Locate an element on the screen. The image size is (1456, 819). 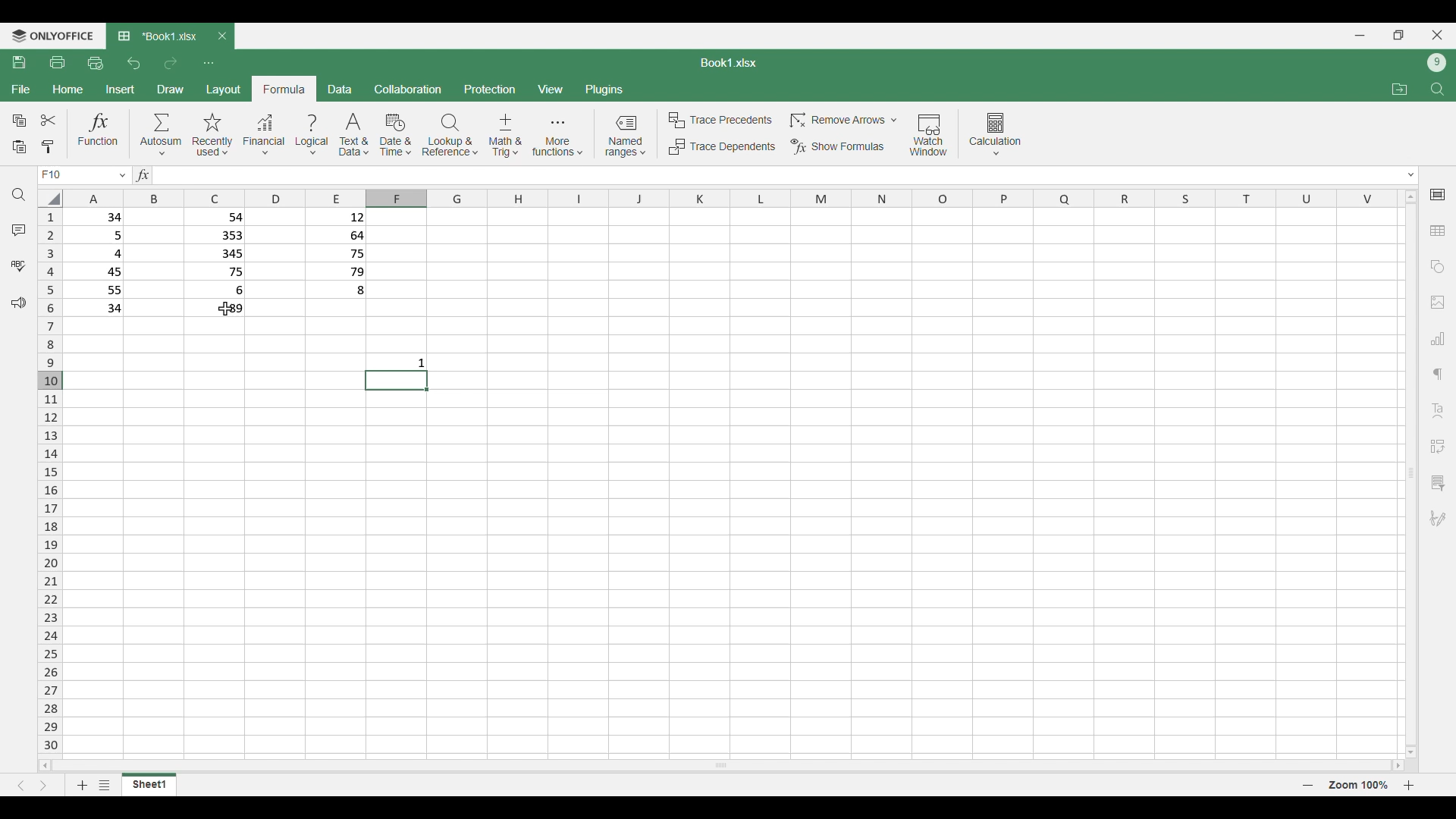
Vertical slide bar is located at coordinates (1412, 474).